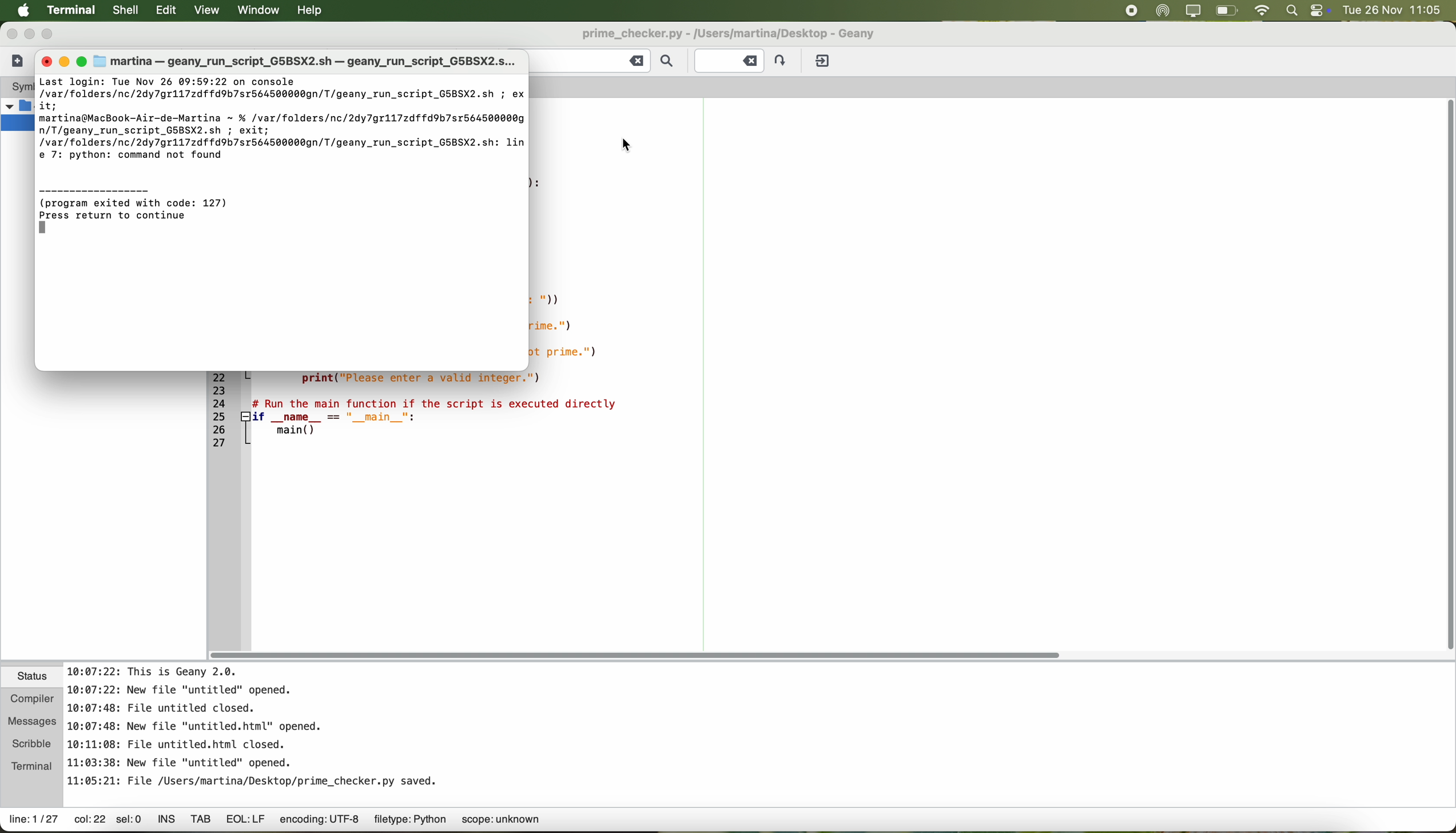  Describe the element at coordinates (824, 62) in the screenshot. I see `quit` at that location.